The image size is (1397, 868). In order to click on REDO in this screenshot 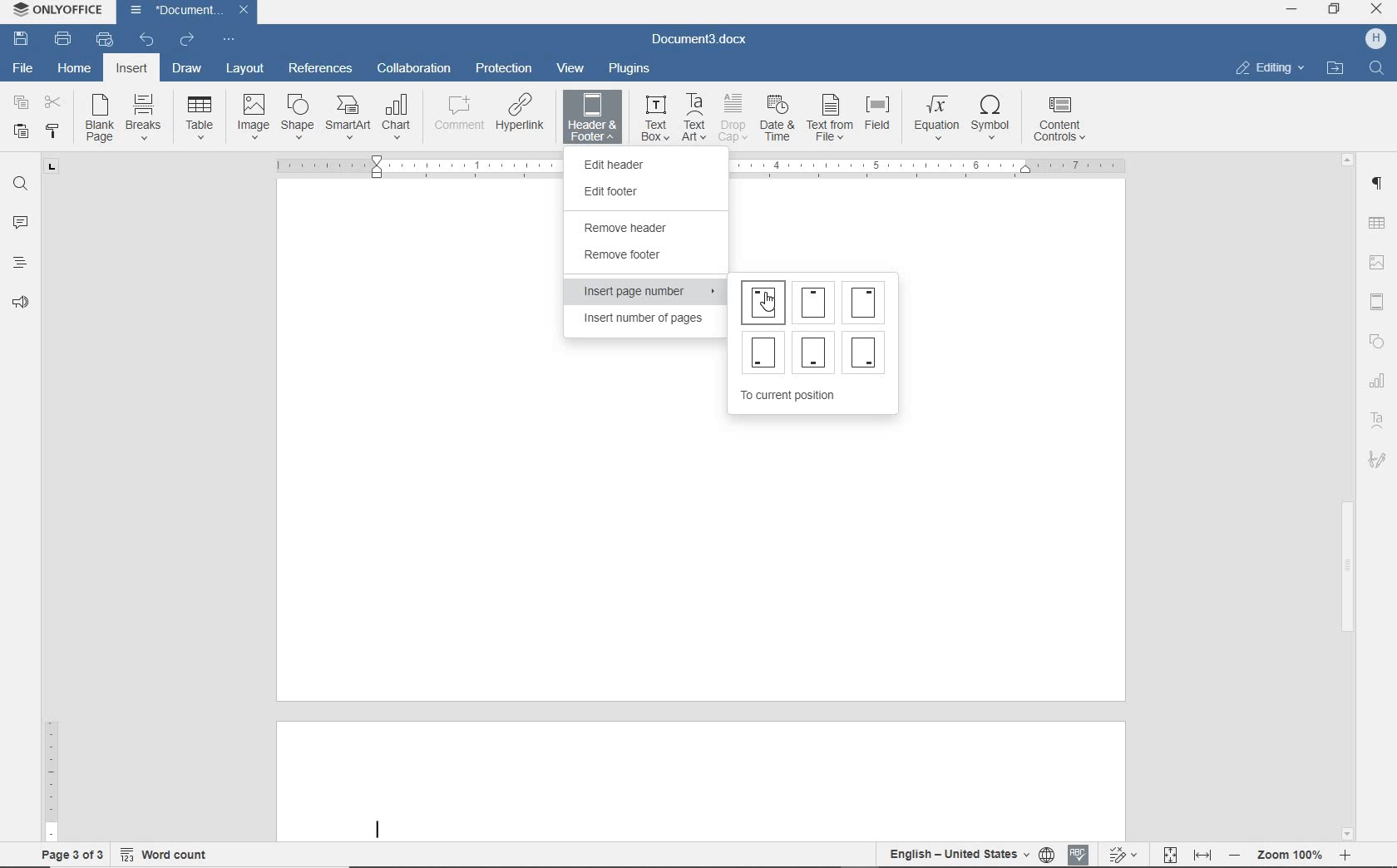, I will do `click(188, 37)`.